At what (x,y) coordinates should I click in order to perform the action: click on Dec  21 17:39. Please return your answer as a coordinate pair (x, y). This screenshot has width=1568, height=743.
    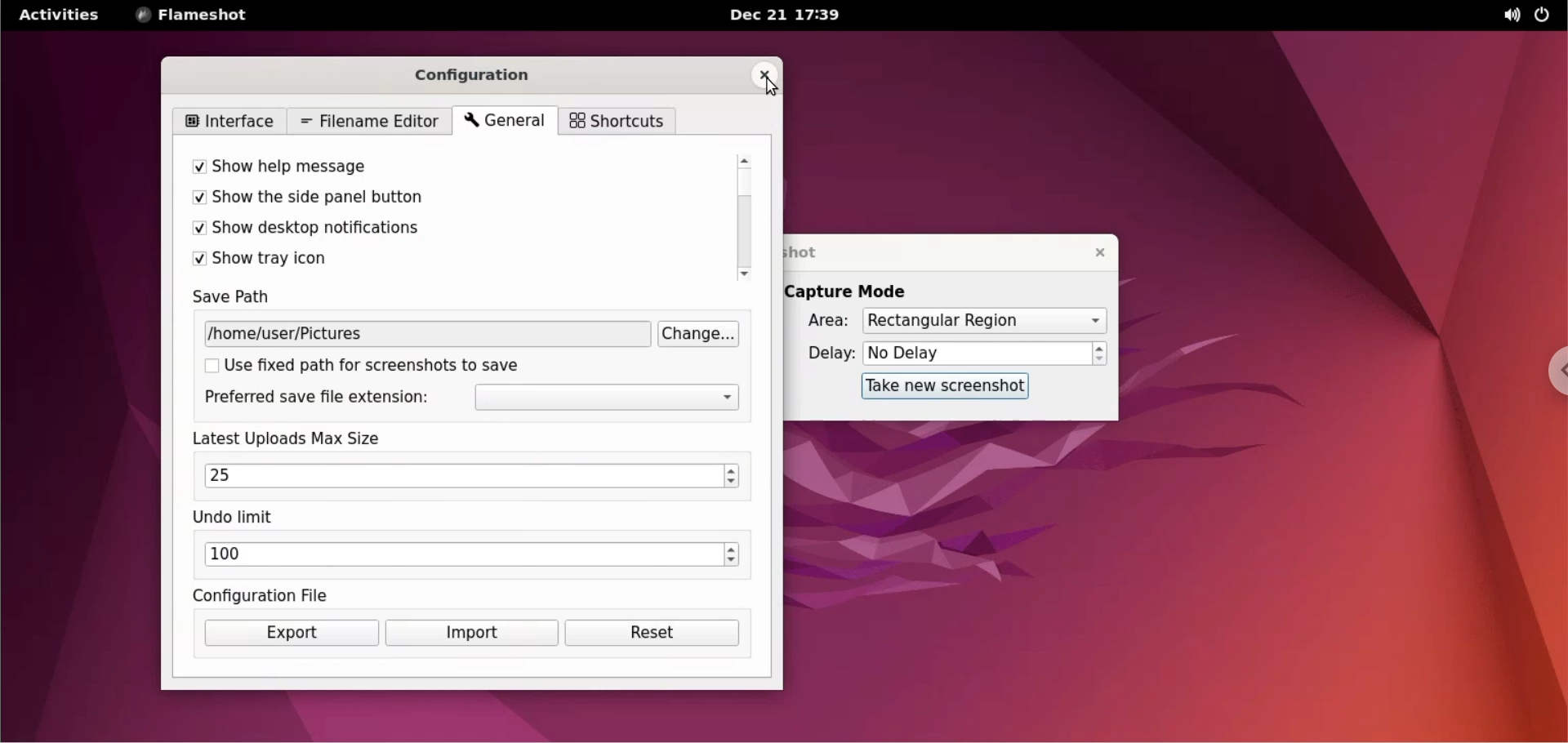
    Looking at the image, I should click on (788, 16).